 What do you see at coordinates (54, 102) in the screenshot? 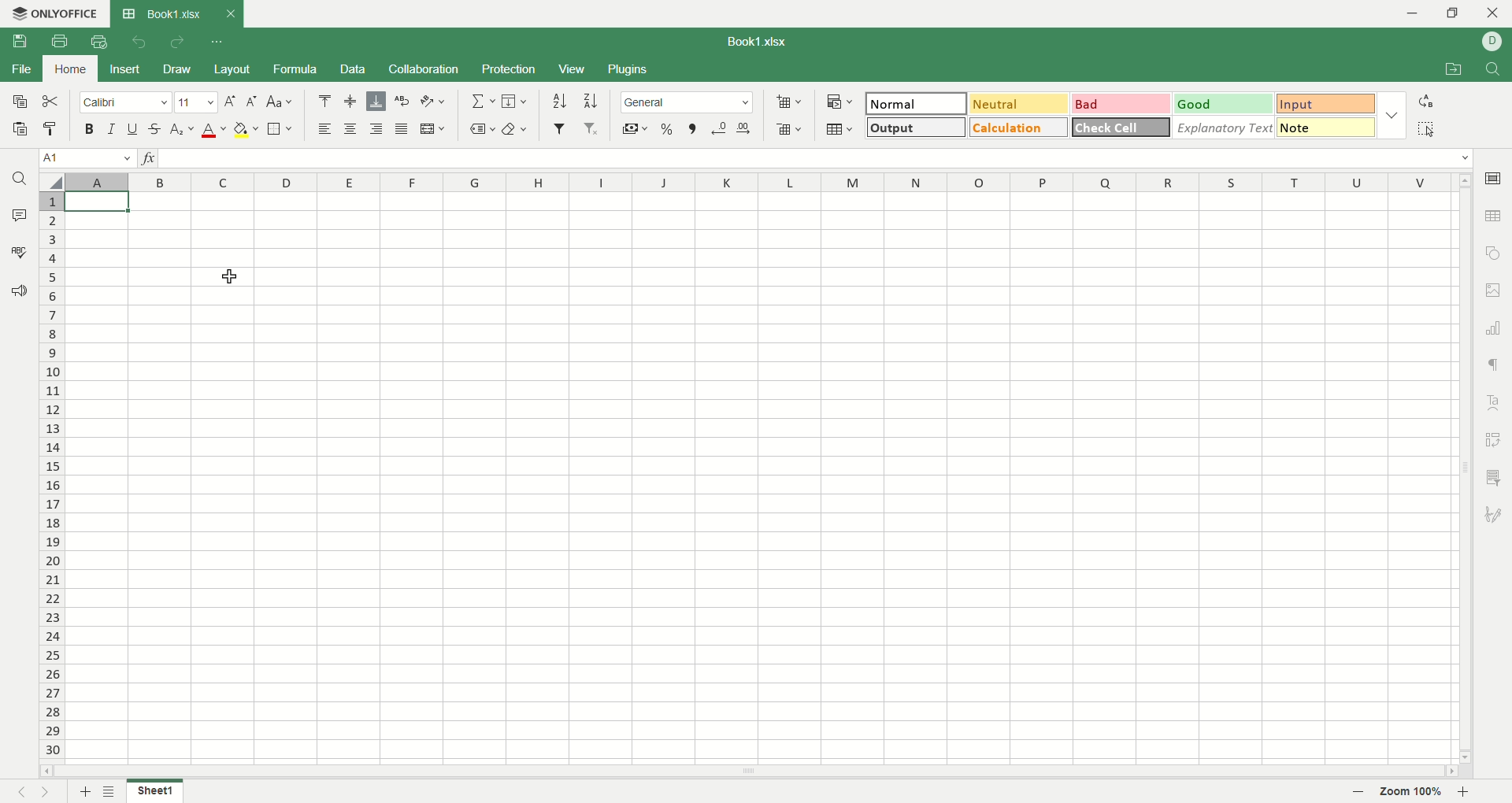
I see `cut` at bounding box center [54, 102].